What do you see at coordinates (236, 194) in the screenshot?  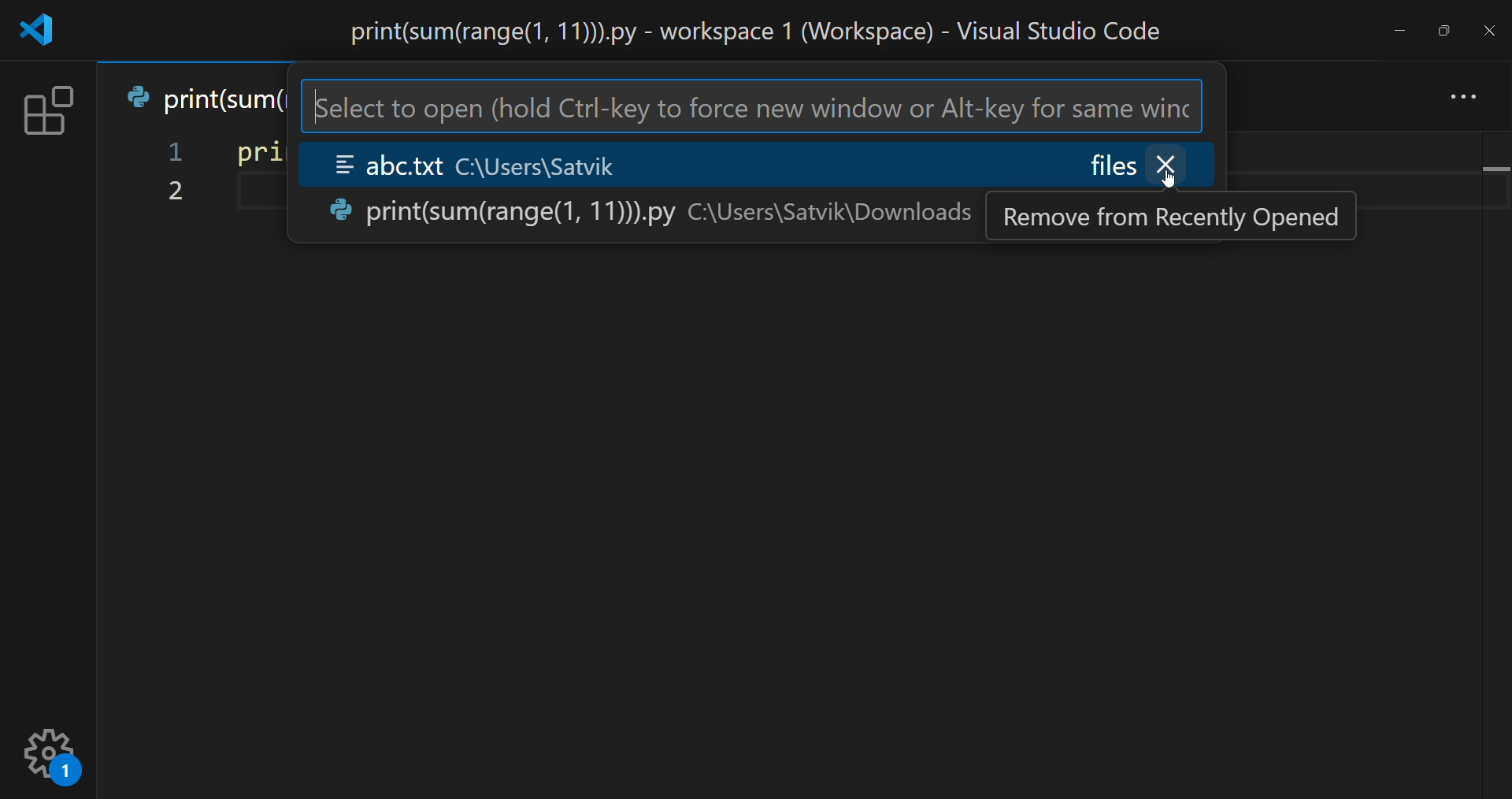 I see `start writing` at bounding box center [236, 194].